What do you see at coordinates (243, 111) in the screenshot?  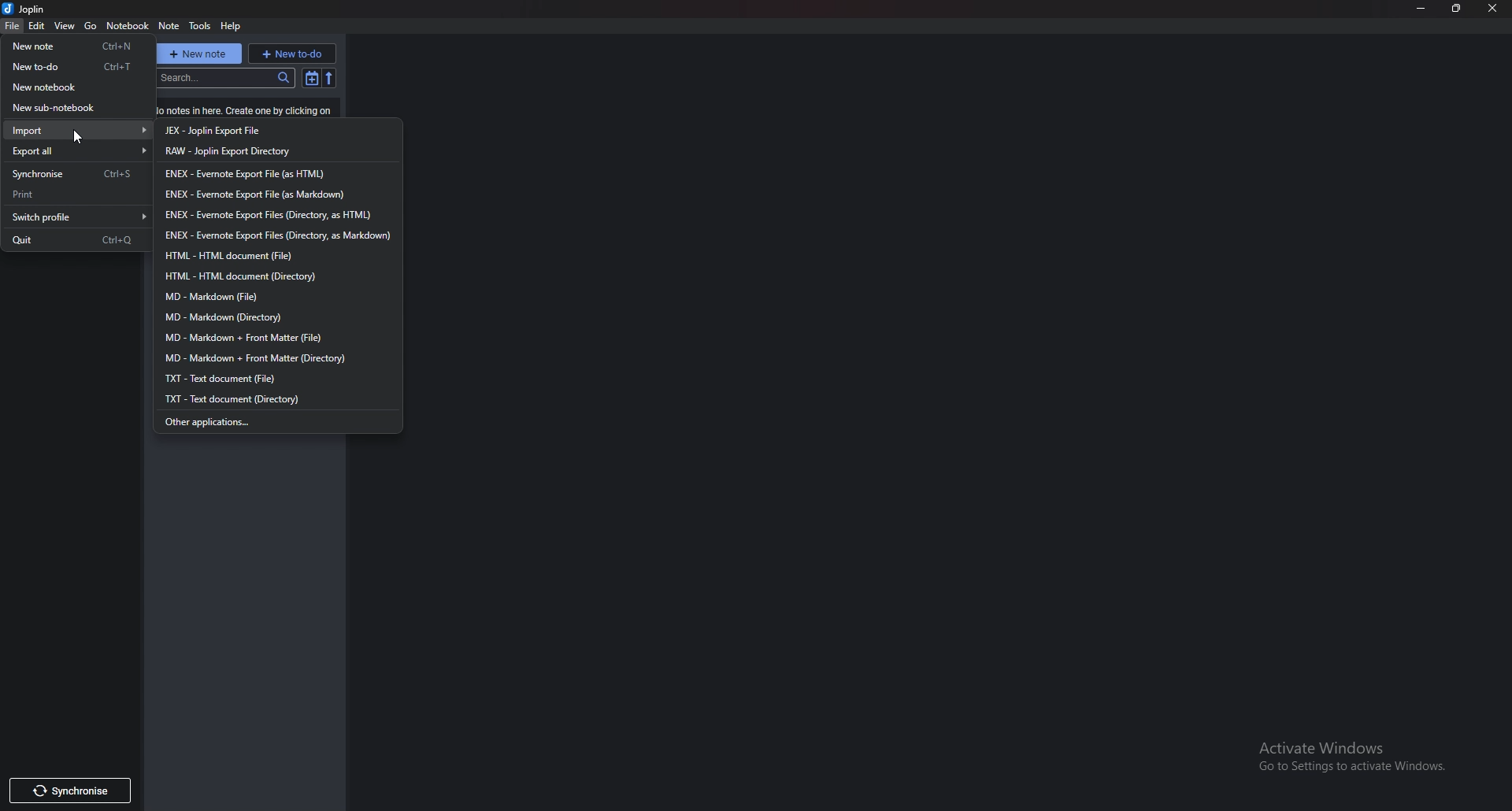 I see `Info` at bounding box center [243, 111].